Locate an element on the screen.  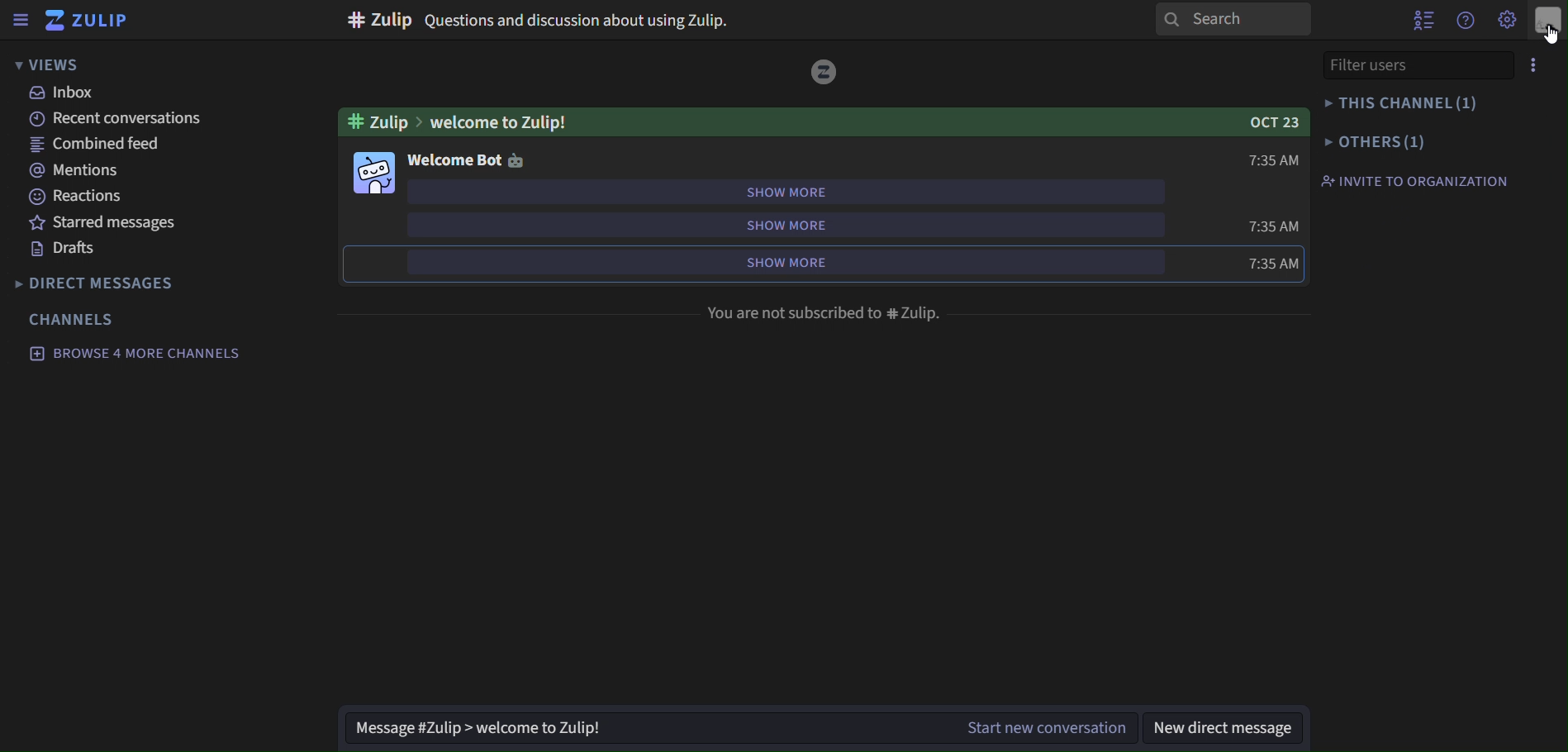
get help is located at coordinates (1469, 20).